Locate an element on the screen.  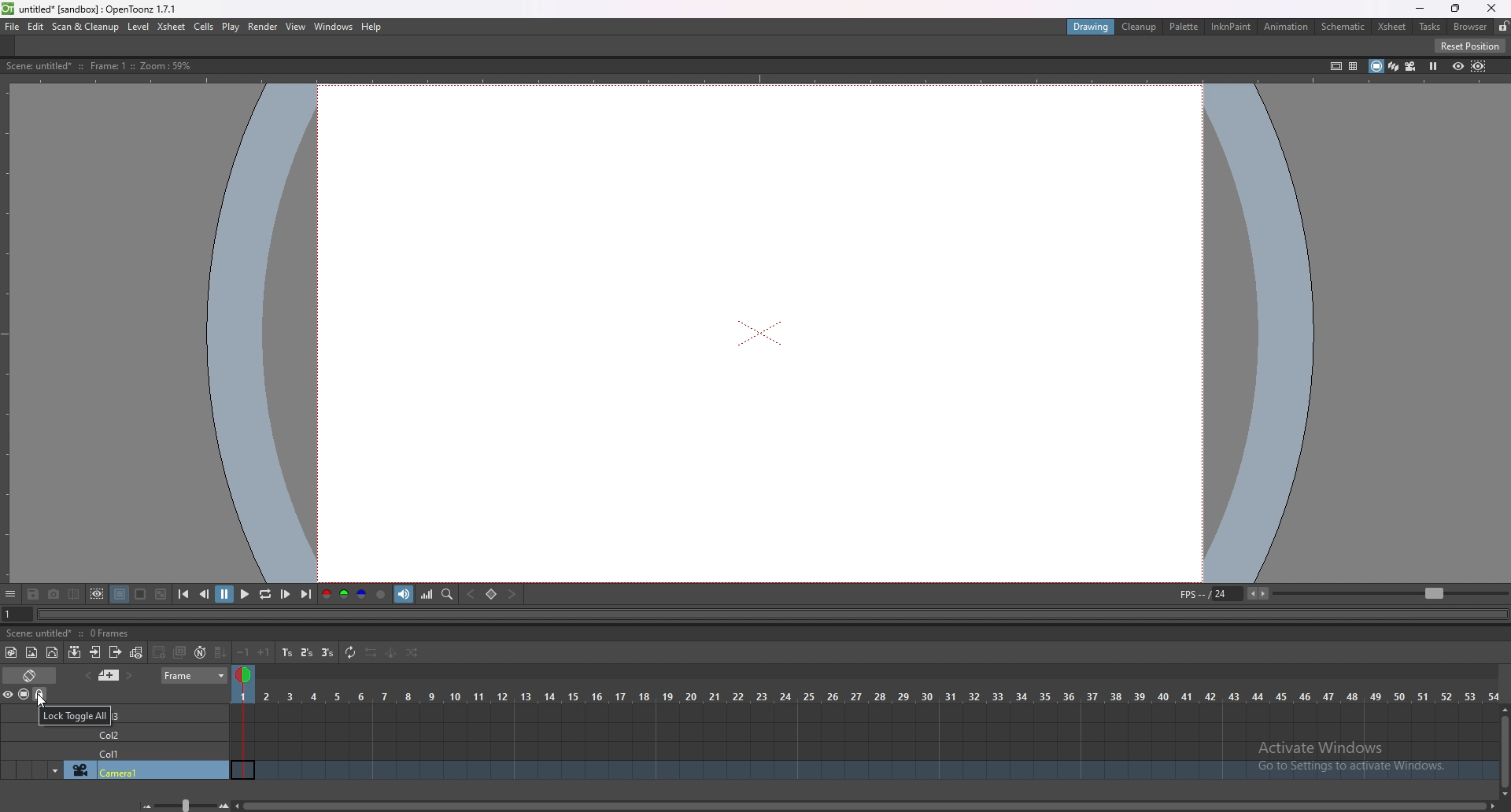
black background is located at coordinates (119, 594).